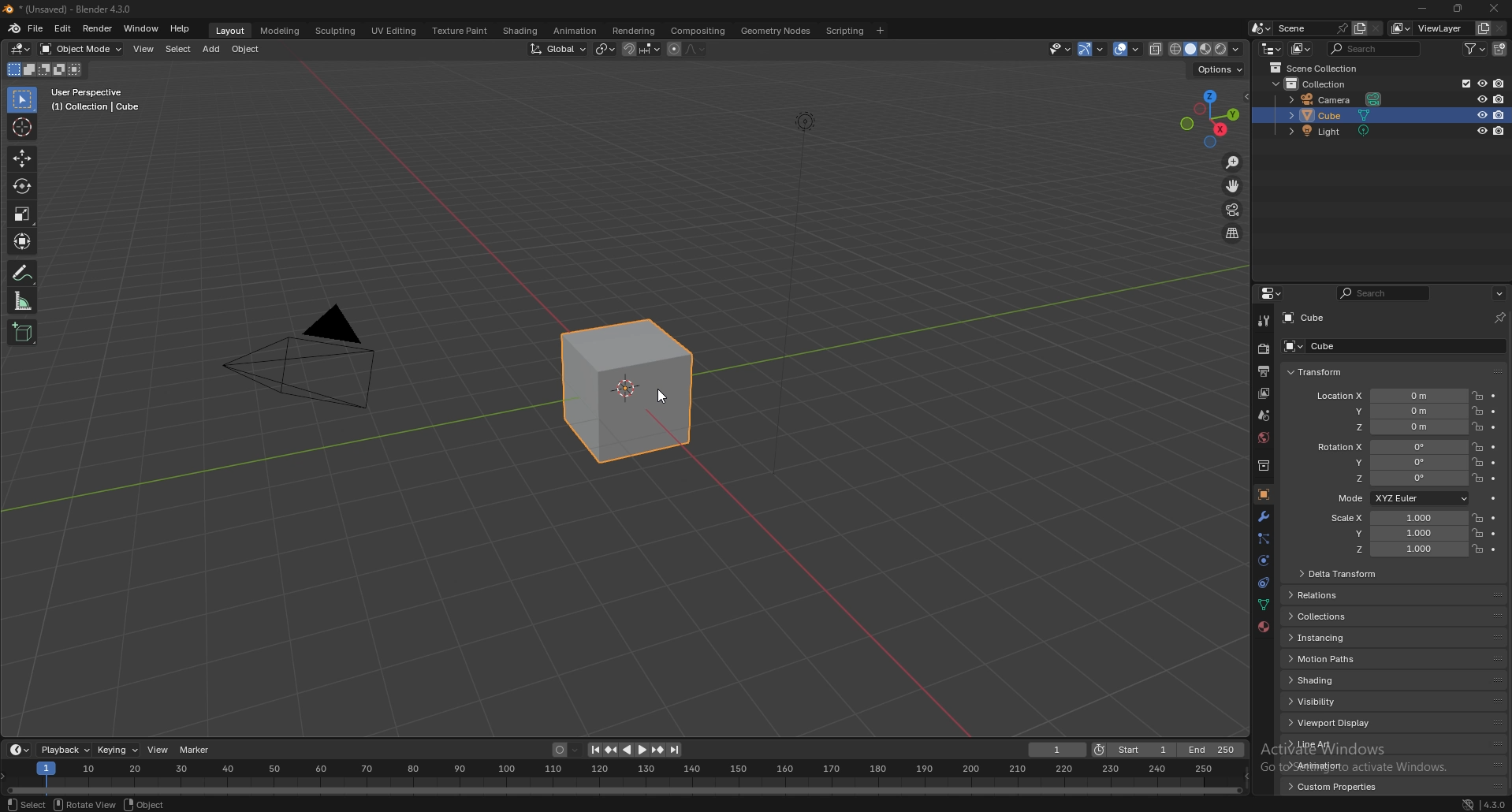  Describe the element at coordinates (143, 28) in the screenshot. I see `window` at that location.